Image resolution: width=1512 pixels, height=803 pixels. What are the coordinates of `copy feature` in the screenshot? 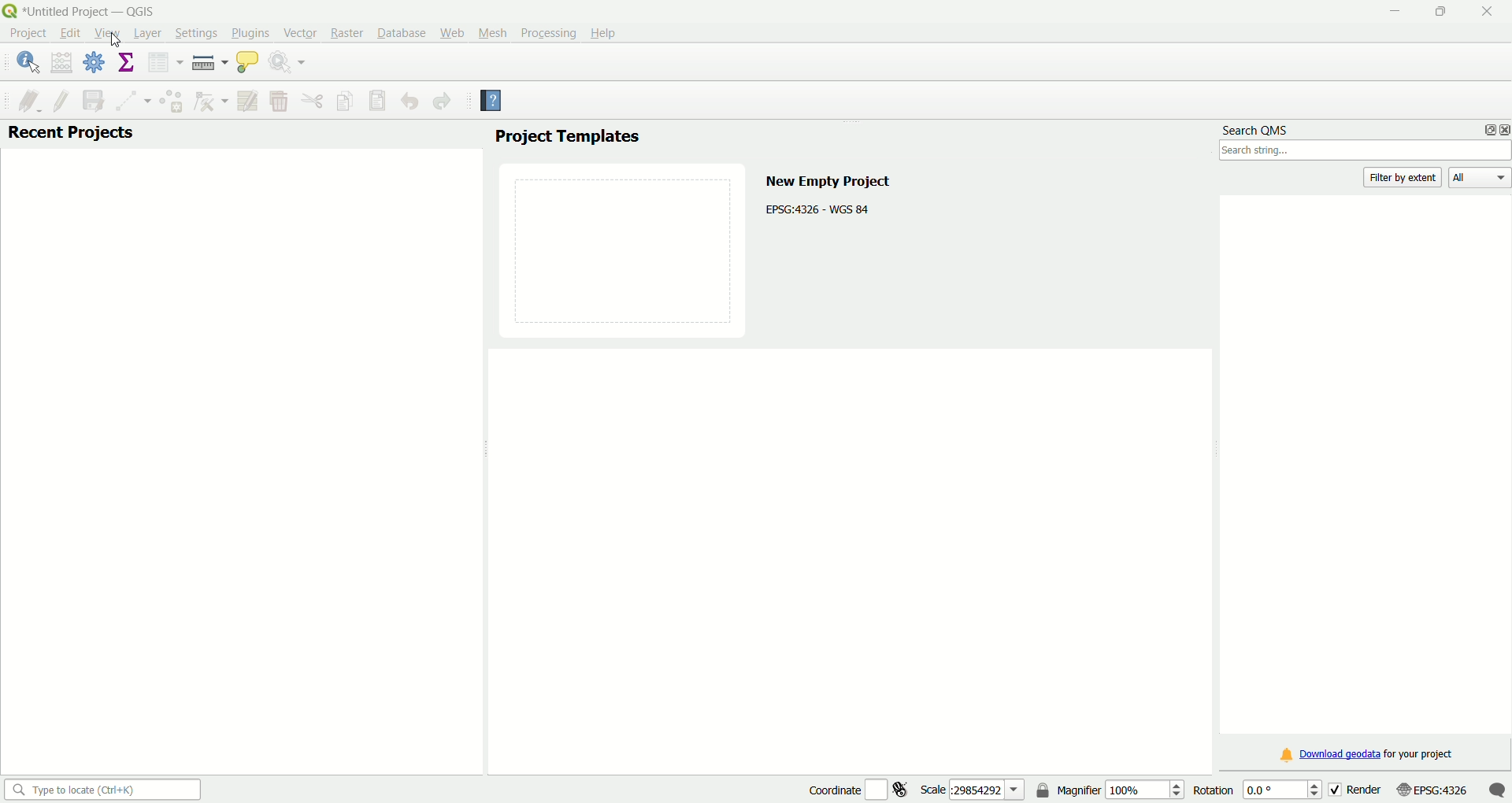 It's located at (346, 100).